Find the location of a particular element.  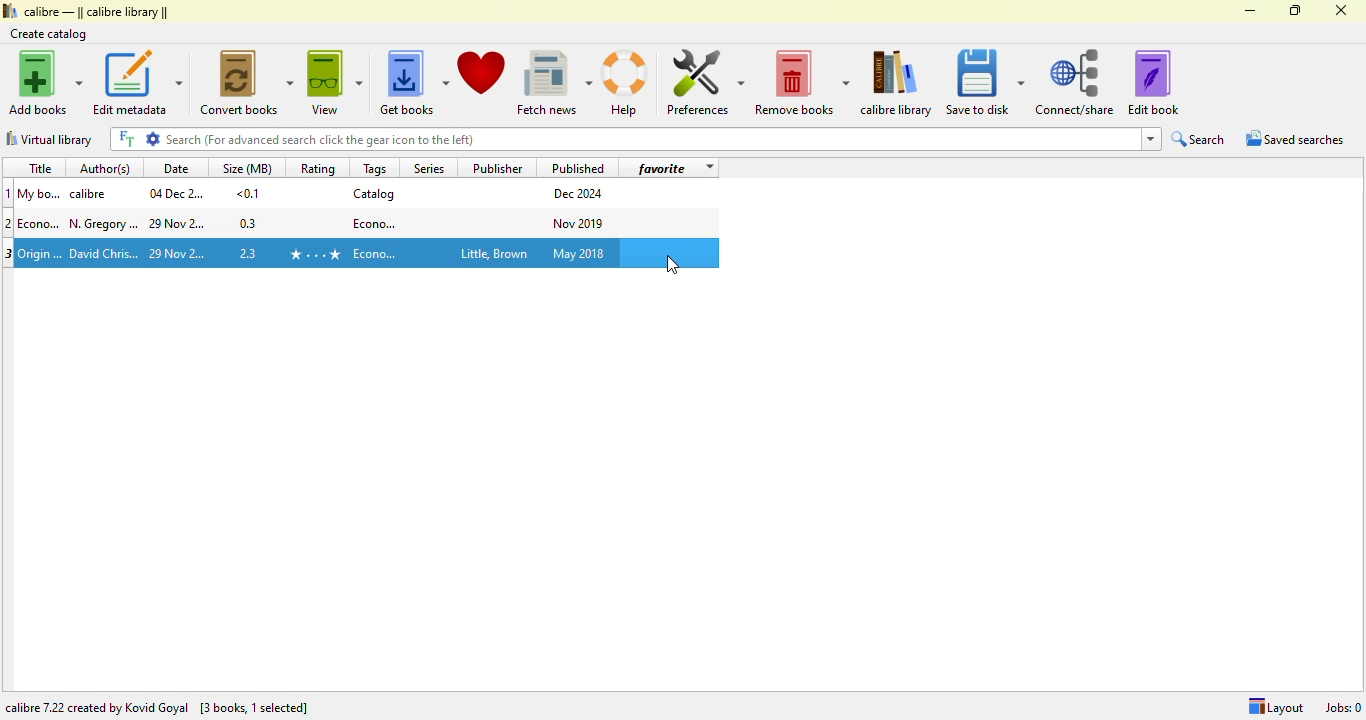

connect/share is located at coordinates (1075, 82).